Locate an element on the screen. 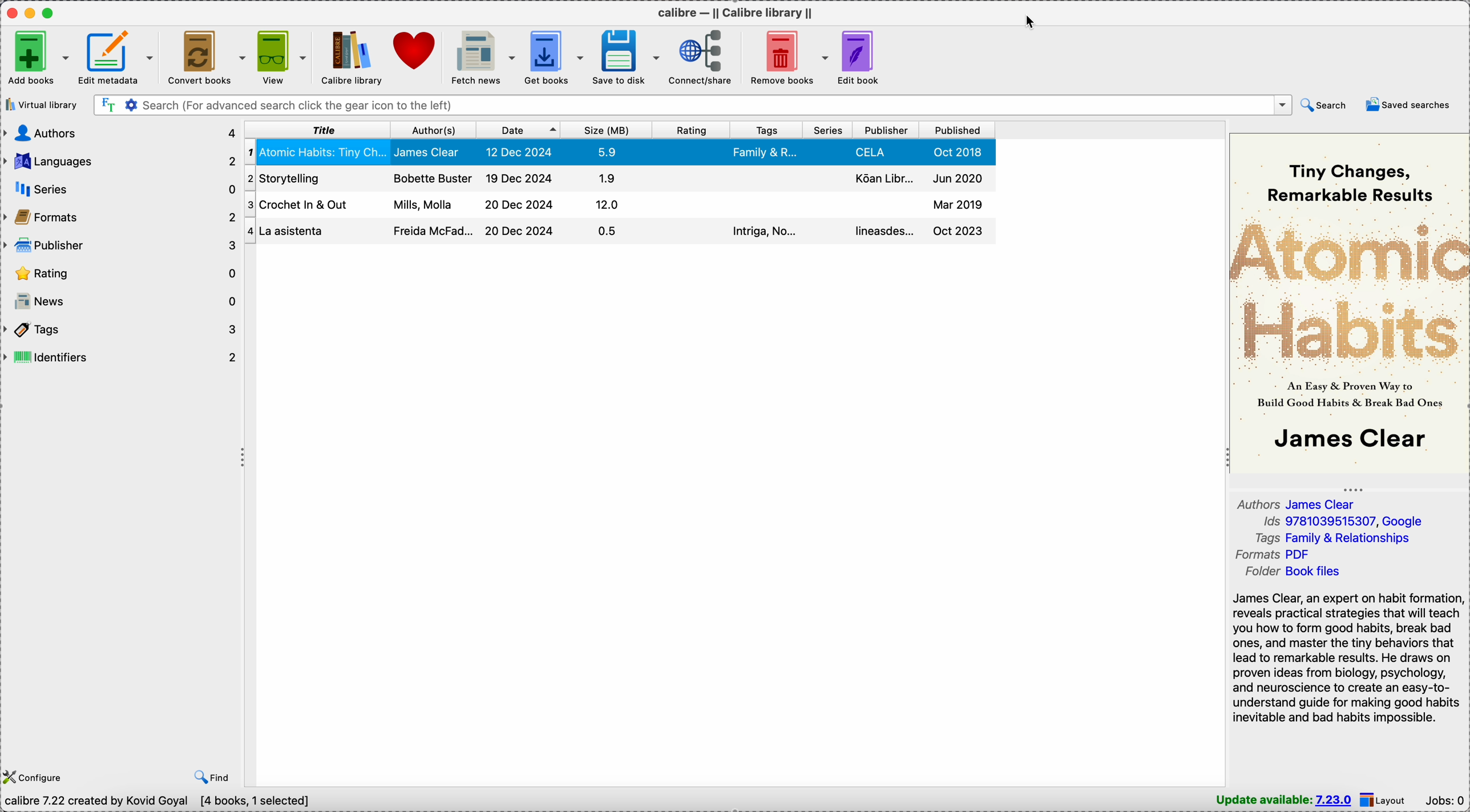 This screenshot has height=812, width=1470. James Clear, an expert on habit formation, reveals practical strategies that will teach you how to form good habits, break bad ones, and master the tiny behaviors that lead to remarkable results... is located at coordinates (1345, 657).